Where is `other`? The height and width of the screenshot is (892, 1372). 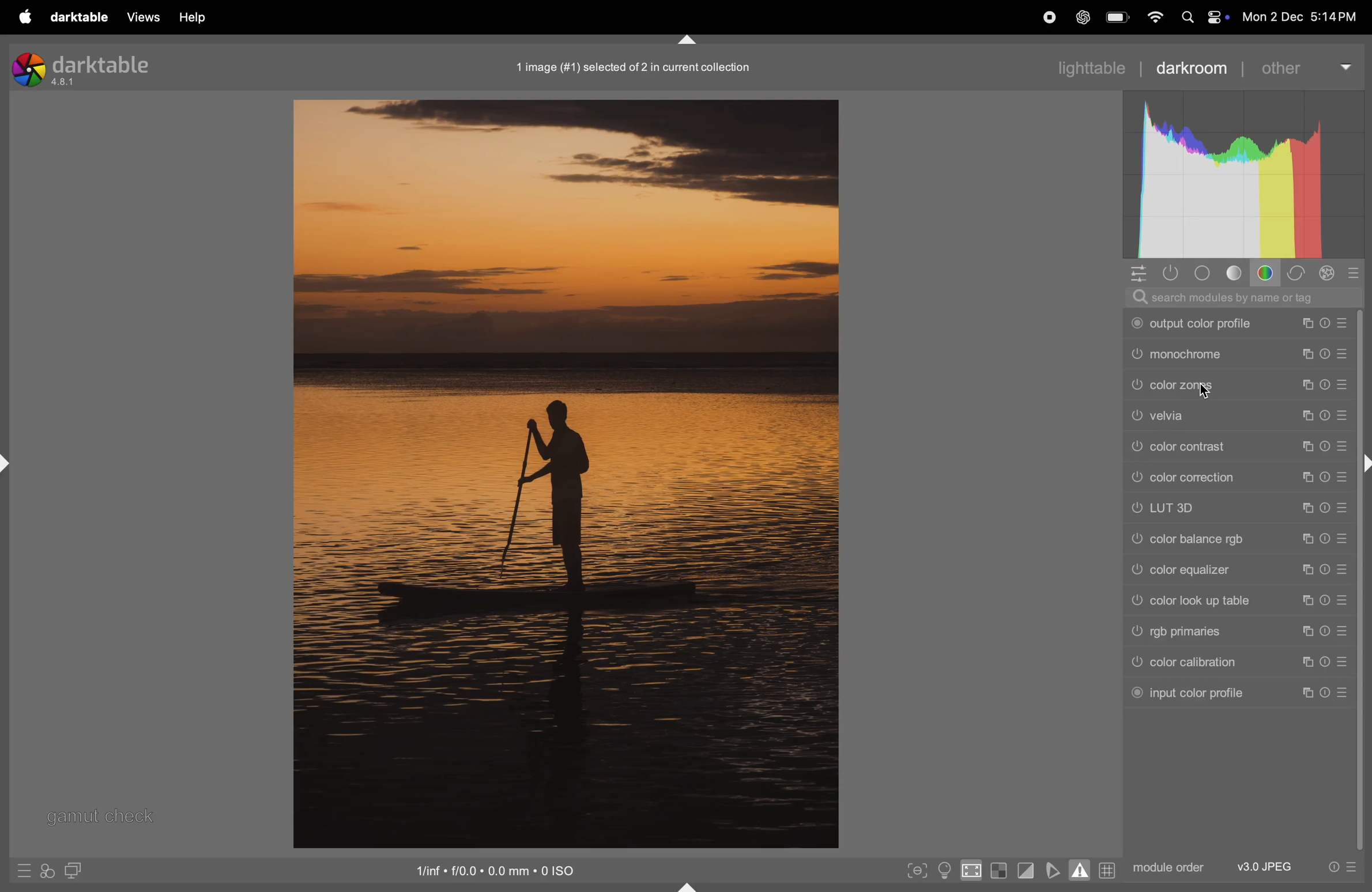
other is located at coordinates (1308, 66).